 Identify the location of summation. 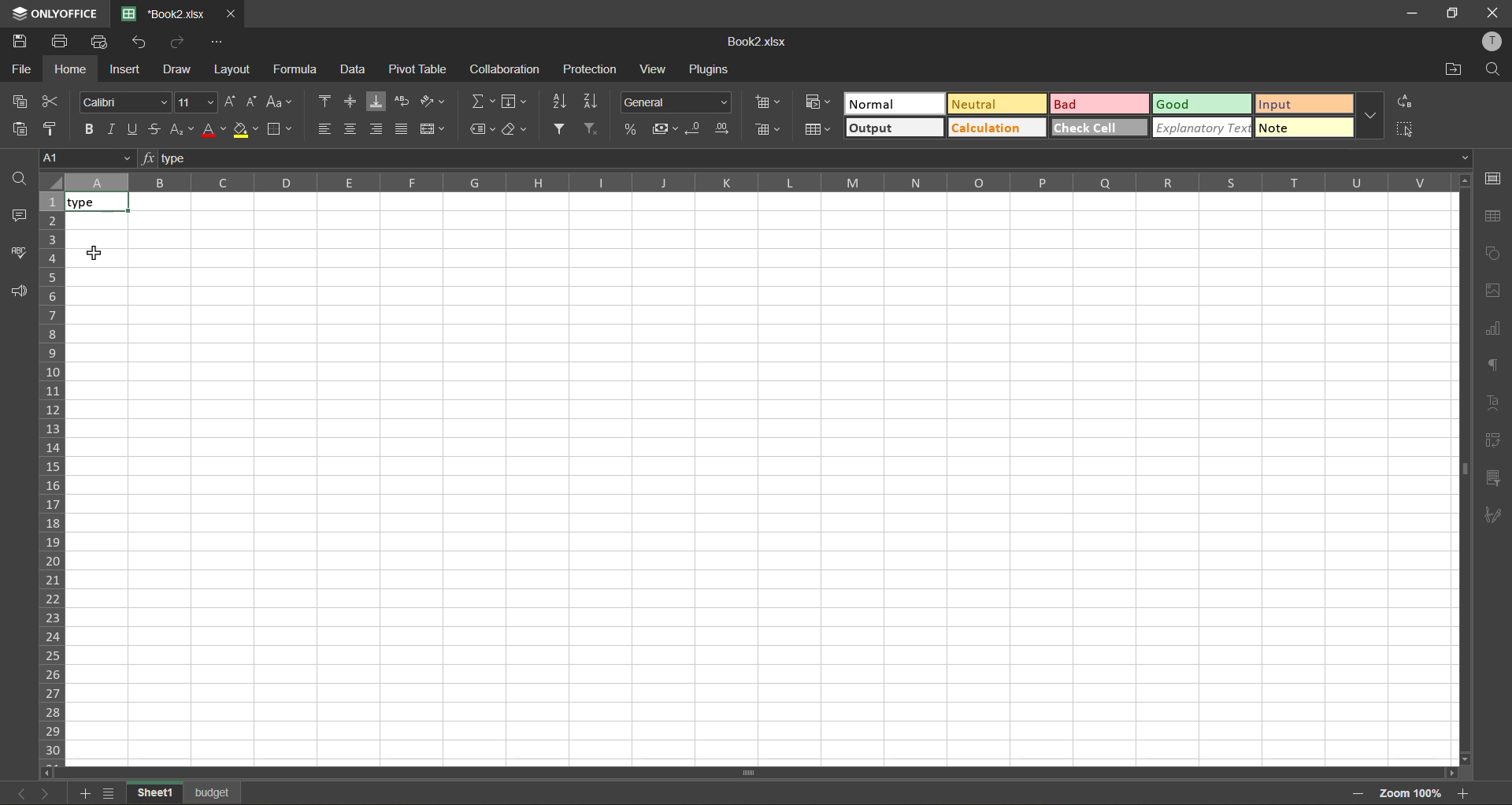
(483, 103).